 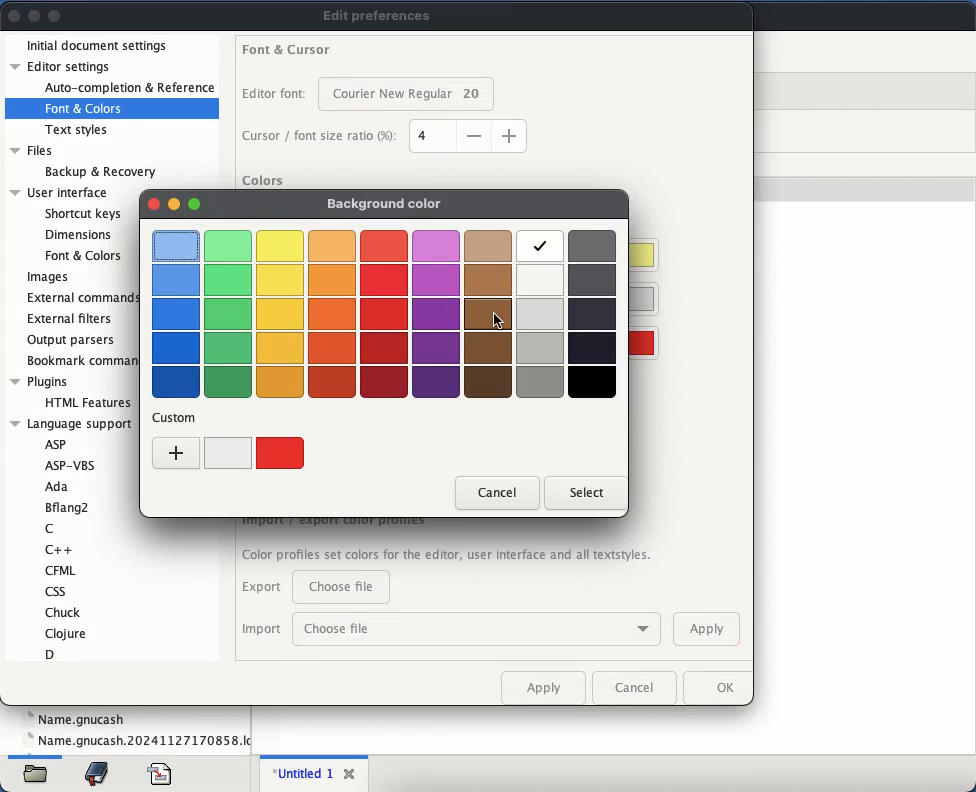 I want to click on ASP, so click(x=57, y=442).